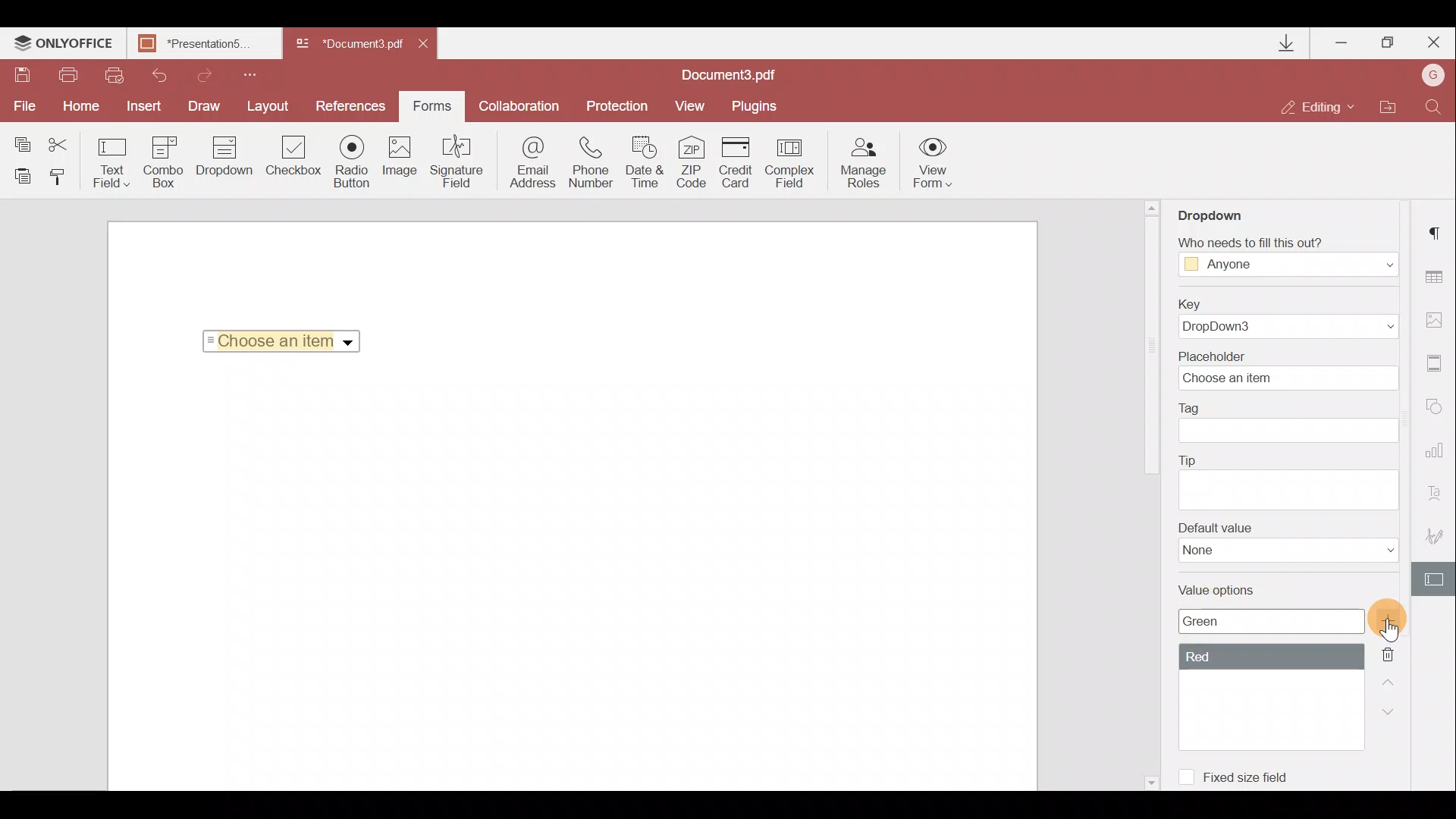  What do you see at coordinates (1295, 424) in the screenshot?
I see `Tag` at bounding box center [1295, 424].